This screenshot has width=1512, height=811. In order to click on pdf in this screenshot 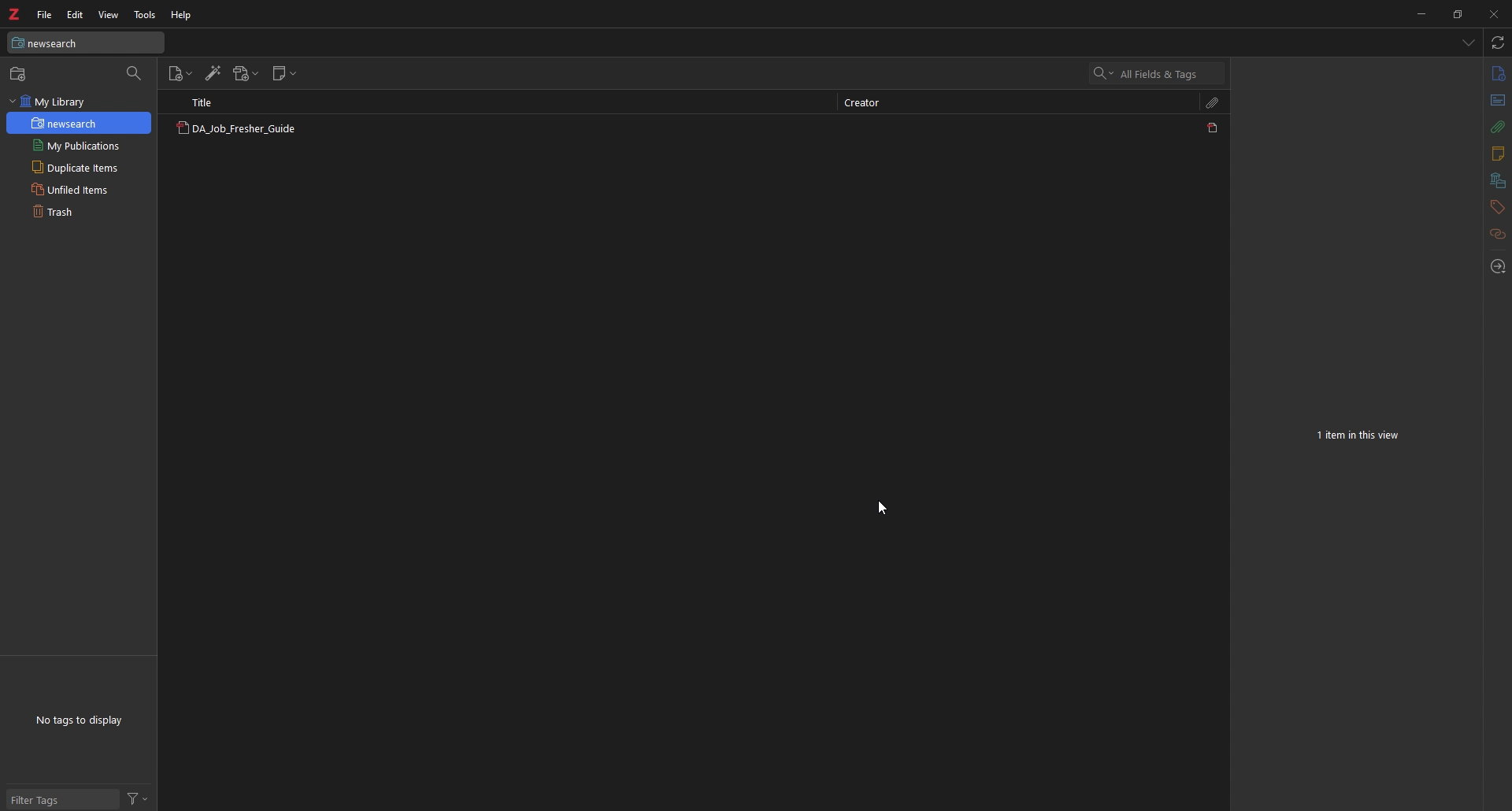, I will do `click(1214, 128)`.